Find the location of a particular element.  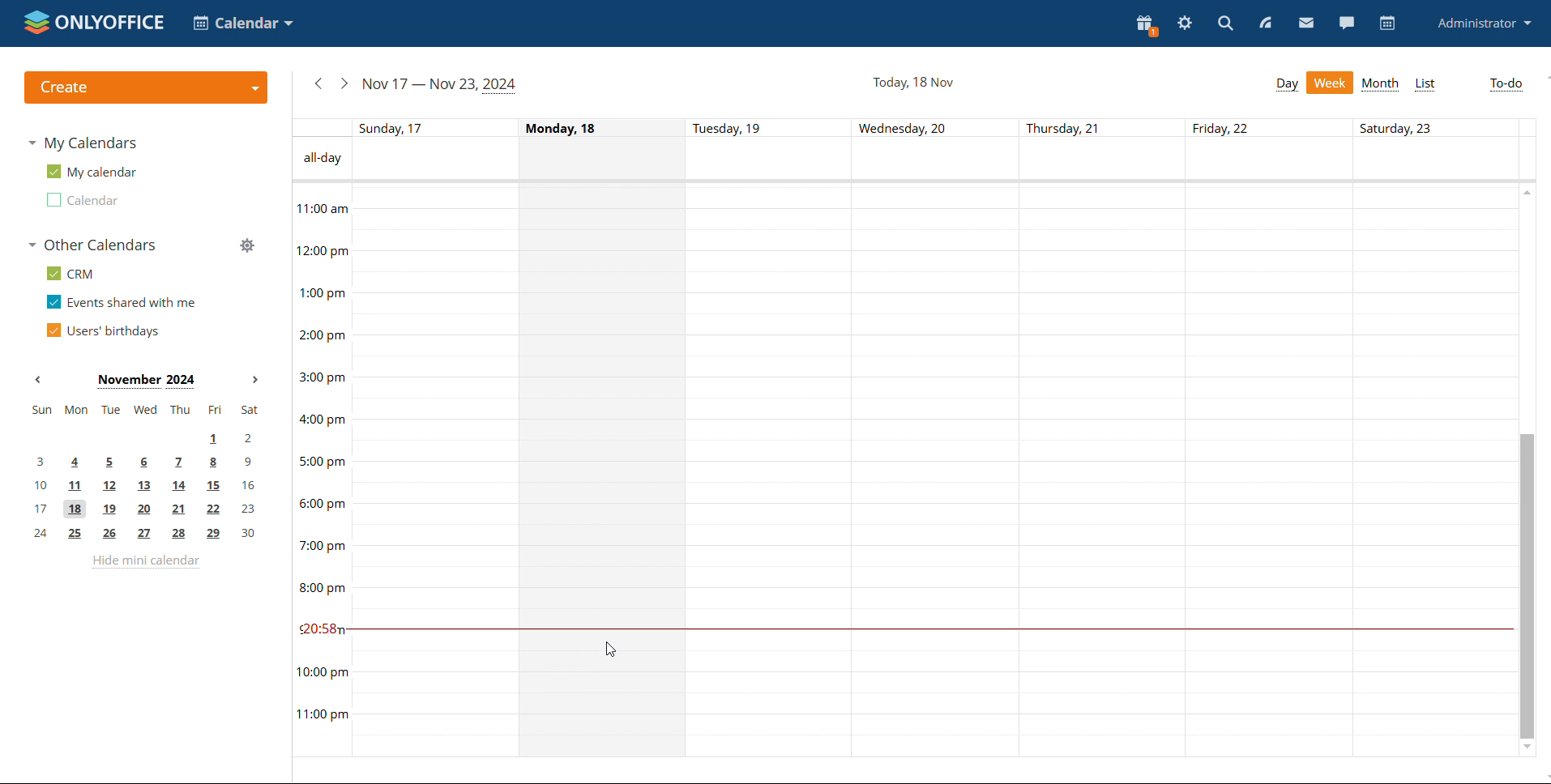

present is located at coordinates (1146, 25).